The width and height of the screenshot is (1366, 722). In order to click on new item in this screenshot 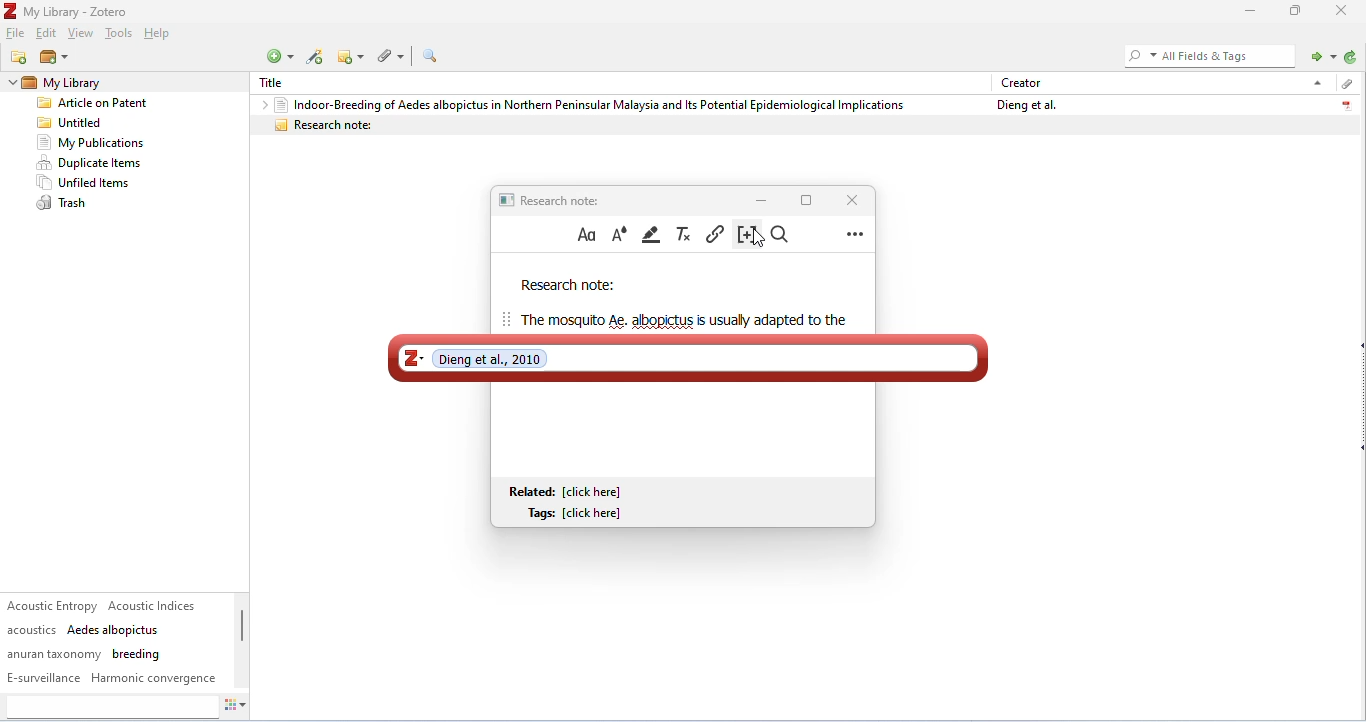, I will do `click(279, 56)`.